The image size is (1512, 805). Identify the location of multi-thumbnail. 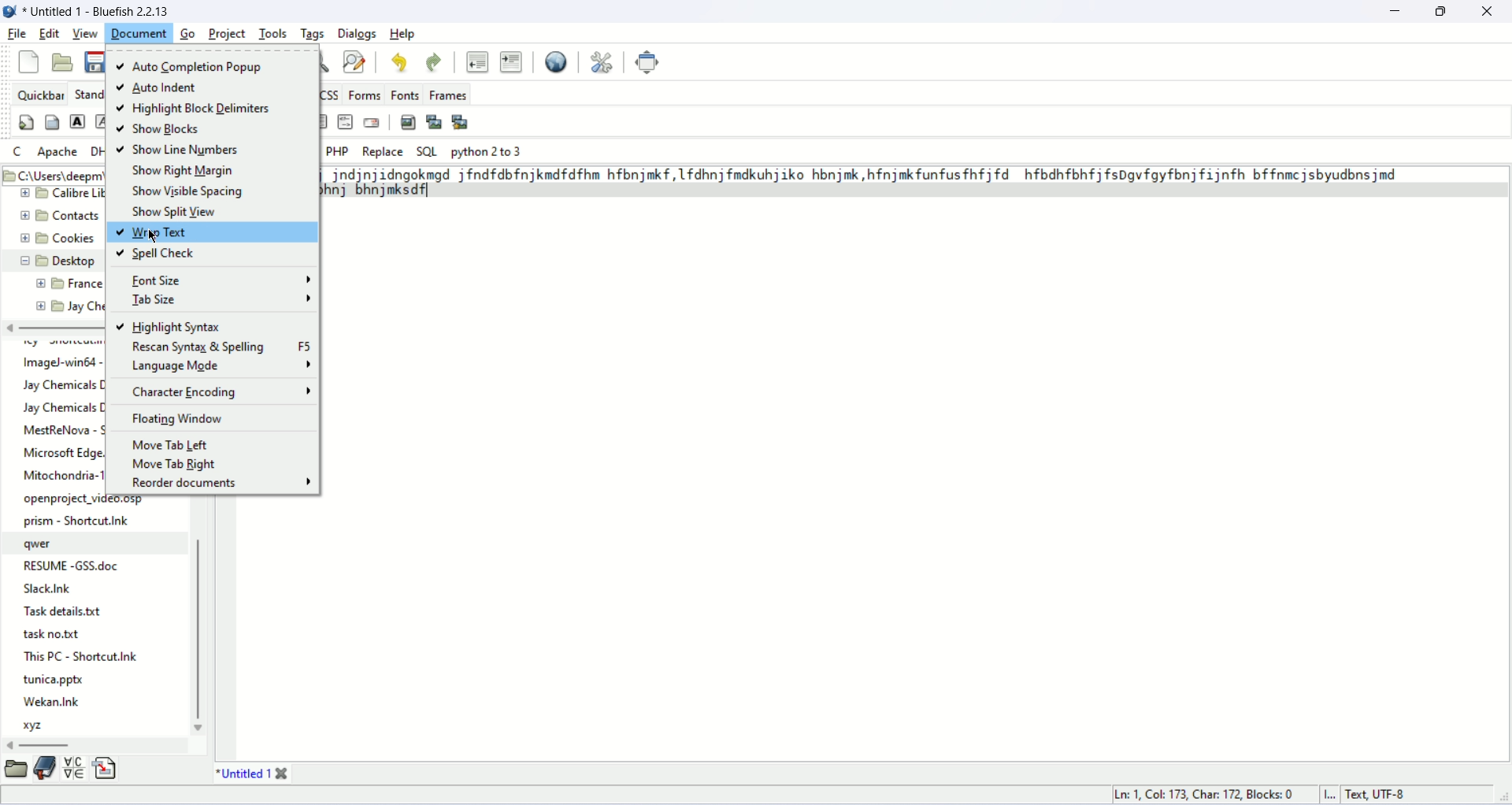
(460, 122).